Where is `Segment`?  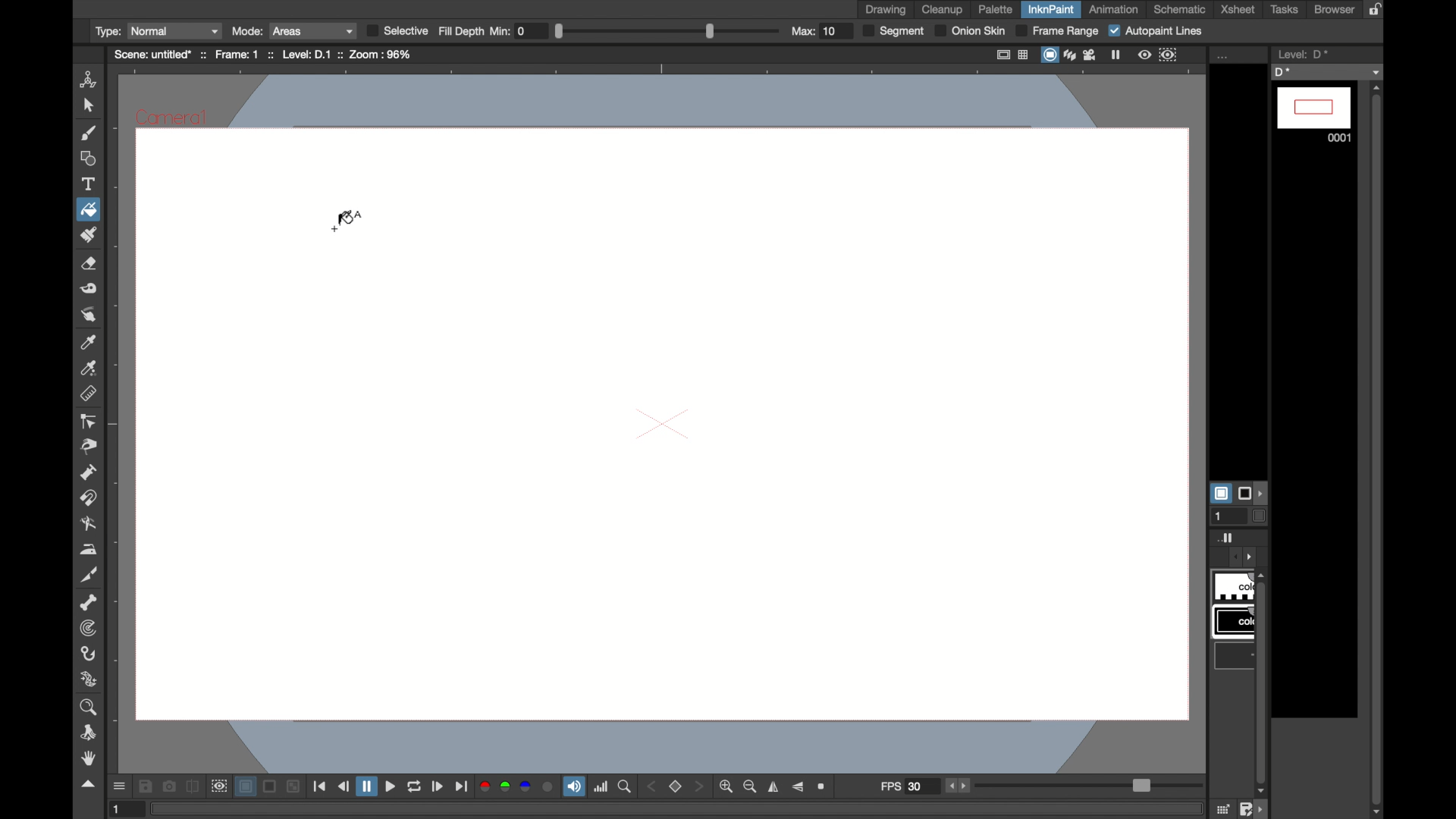 Segment is located at coordinates (896, 32).